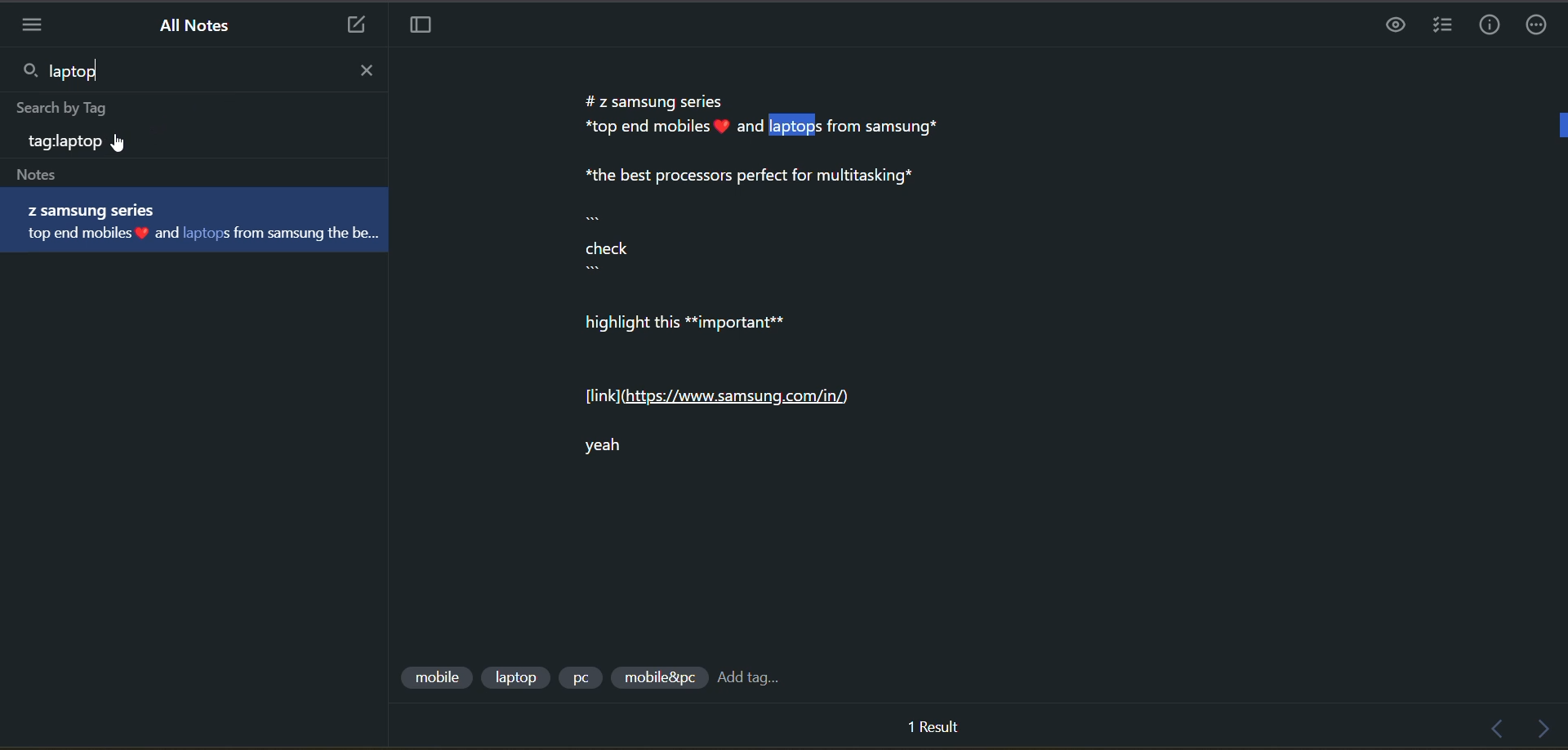 This screenshot has width=1568, height=750. I want to click on next, so click(1549, 730).